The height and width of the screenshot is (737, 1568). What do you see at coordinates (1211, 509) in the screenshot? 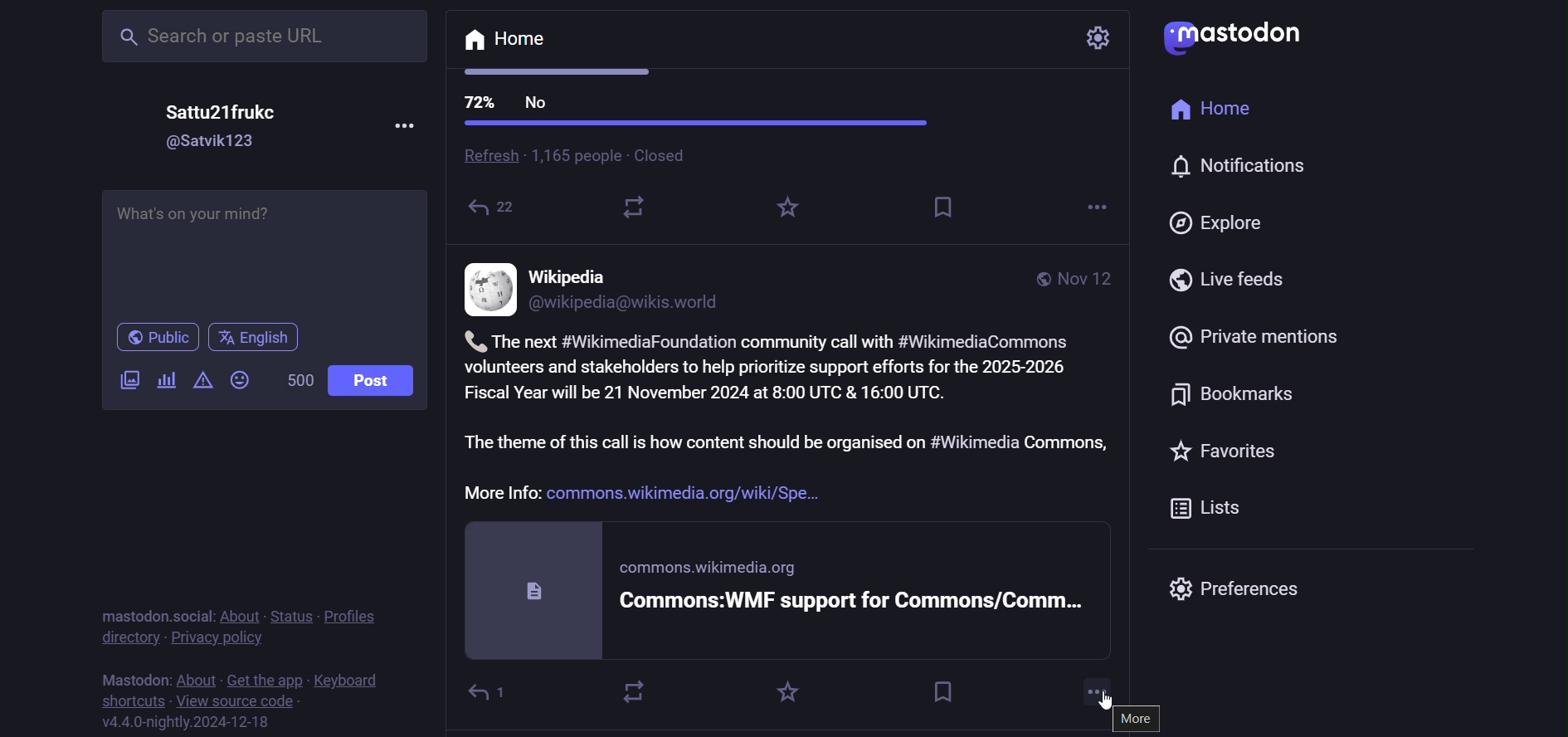
I see `list` at bounding box center [1211, 509].